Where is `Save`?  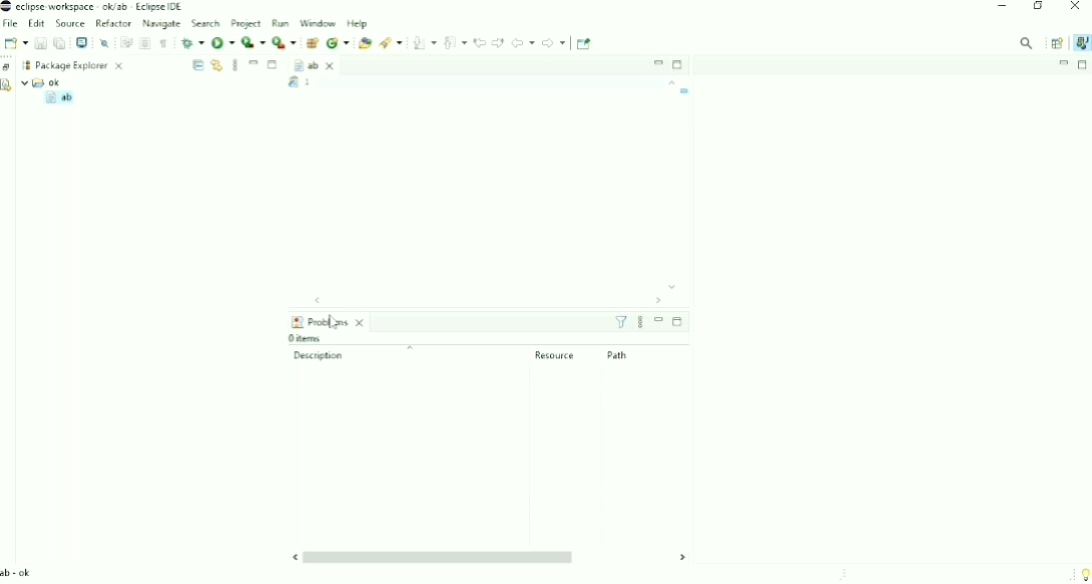
Save is located at coordinates (40, 43).